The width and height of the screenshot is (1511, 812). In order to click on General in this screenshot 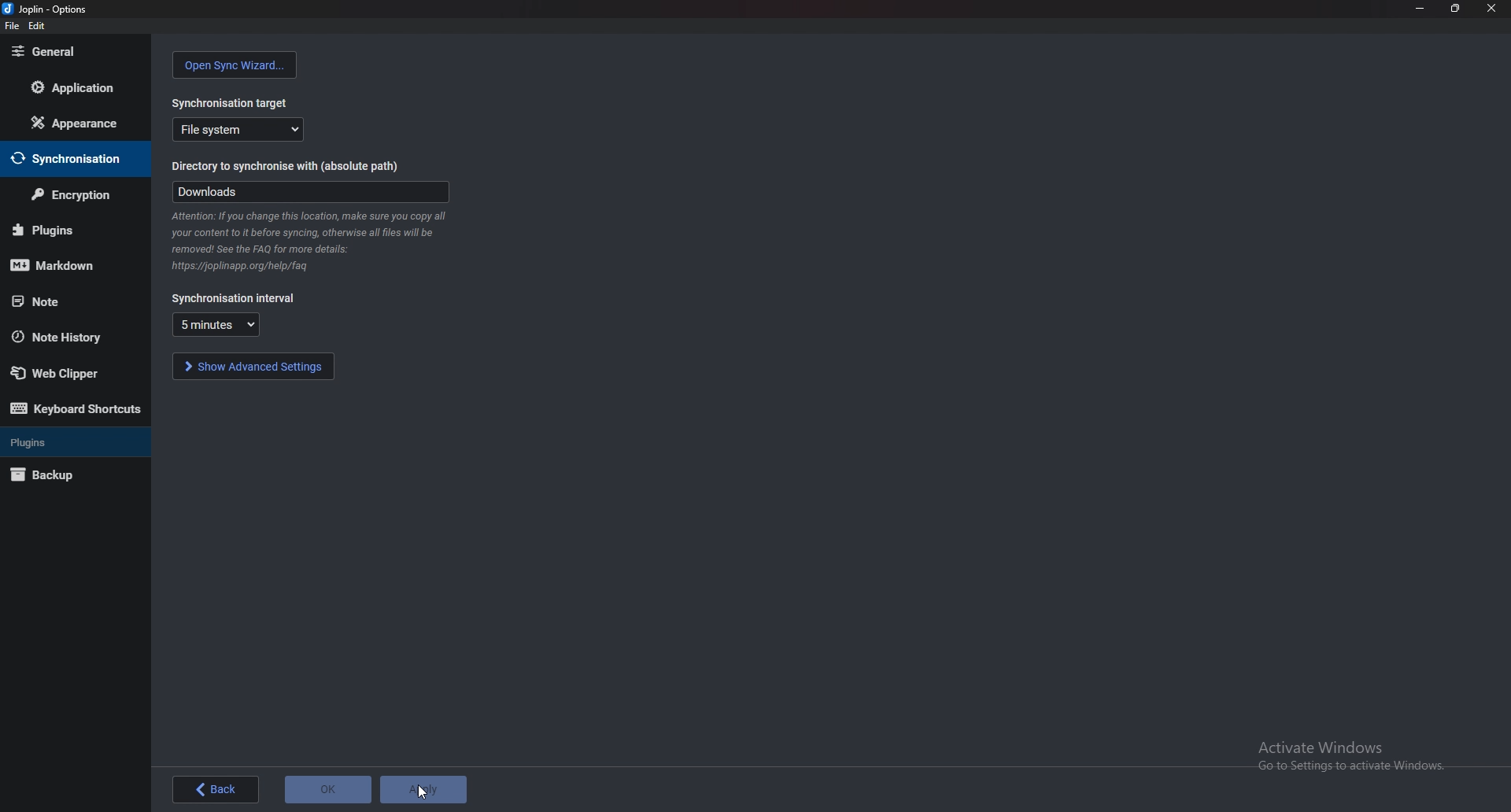, I will do `click(73, 50)`.